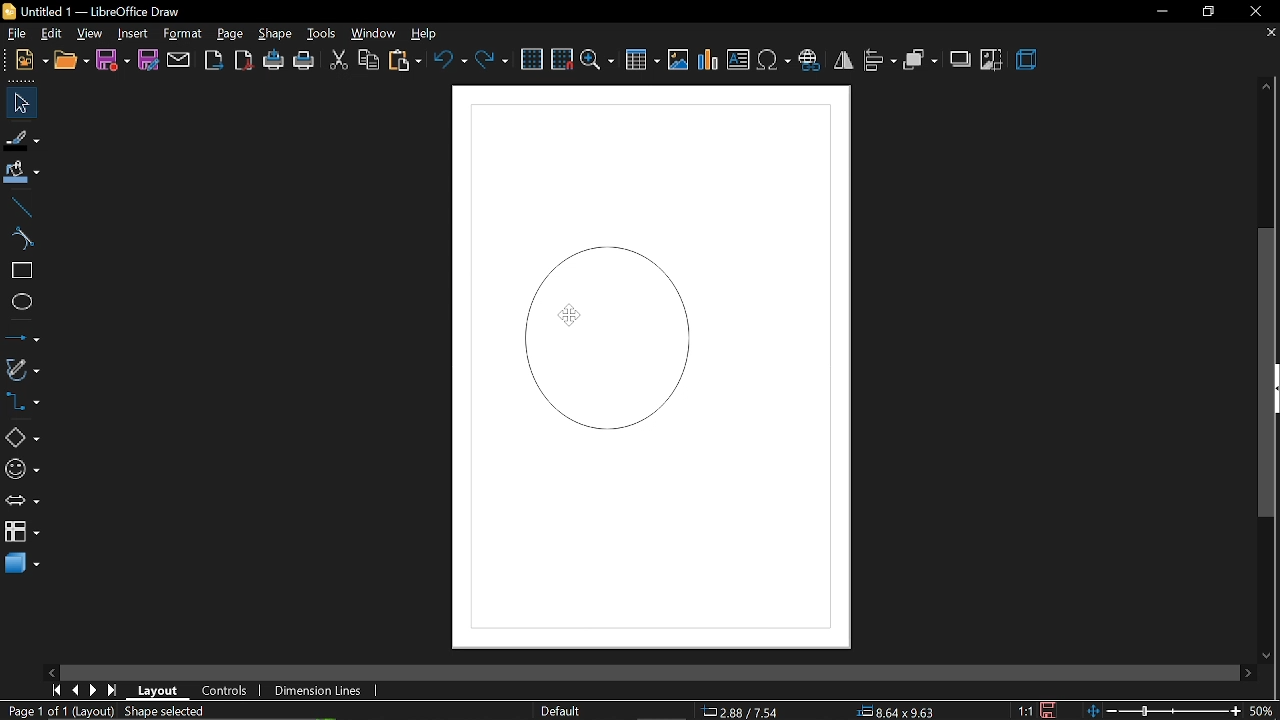 This screenshot has height=720, width=1280. Describe the element at coordinates (679, 61) in the screenshot. I see `insert image` at that location.